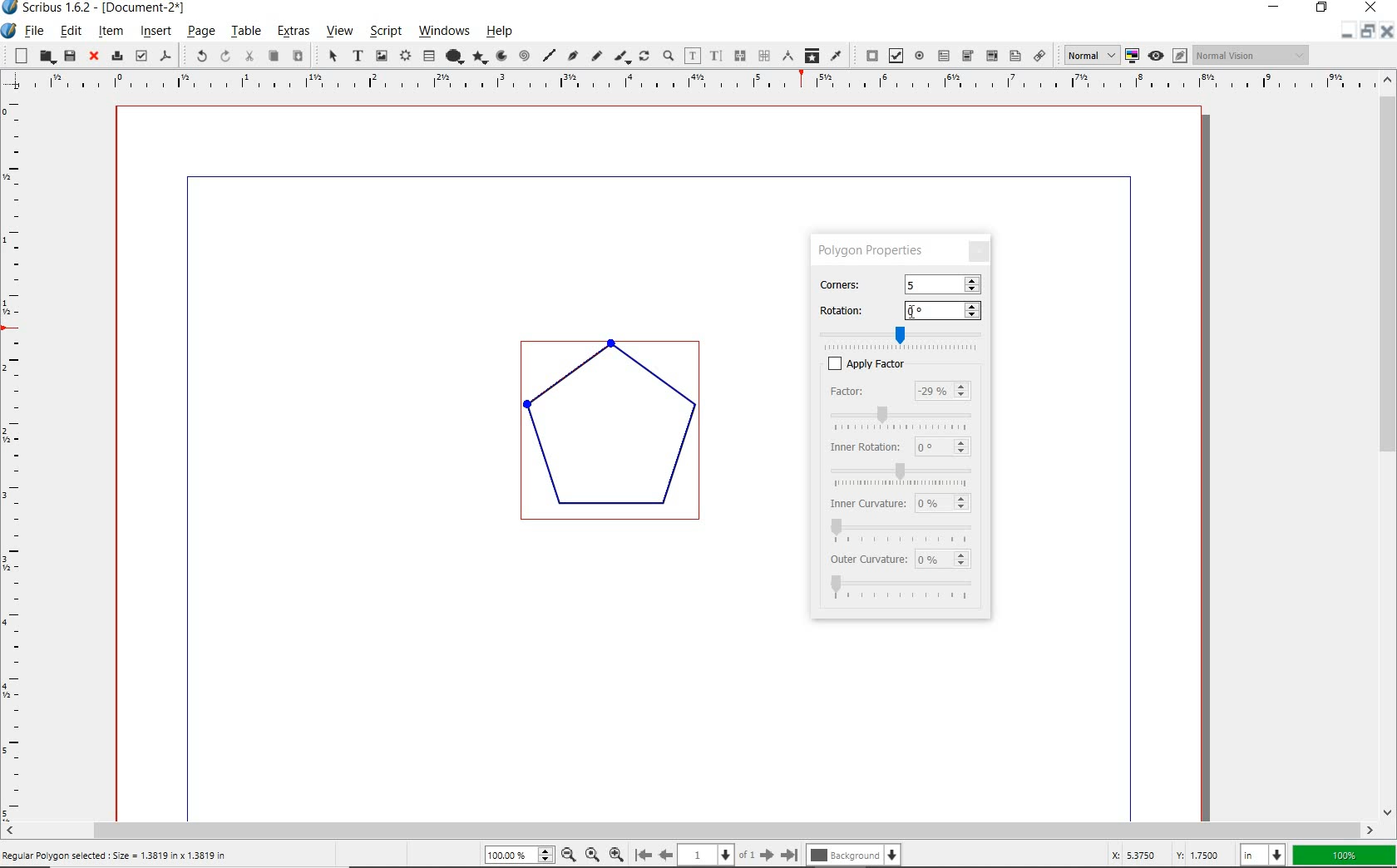  I want to click on shape, so click(456, 54).